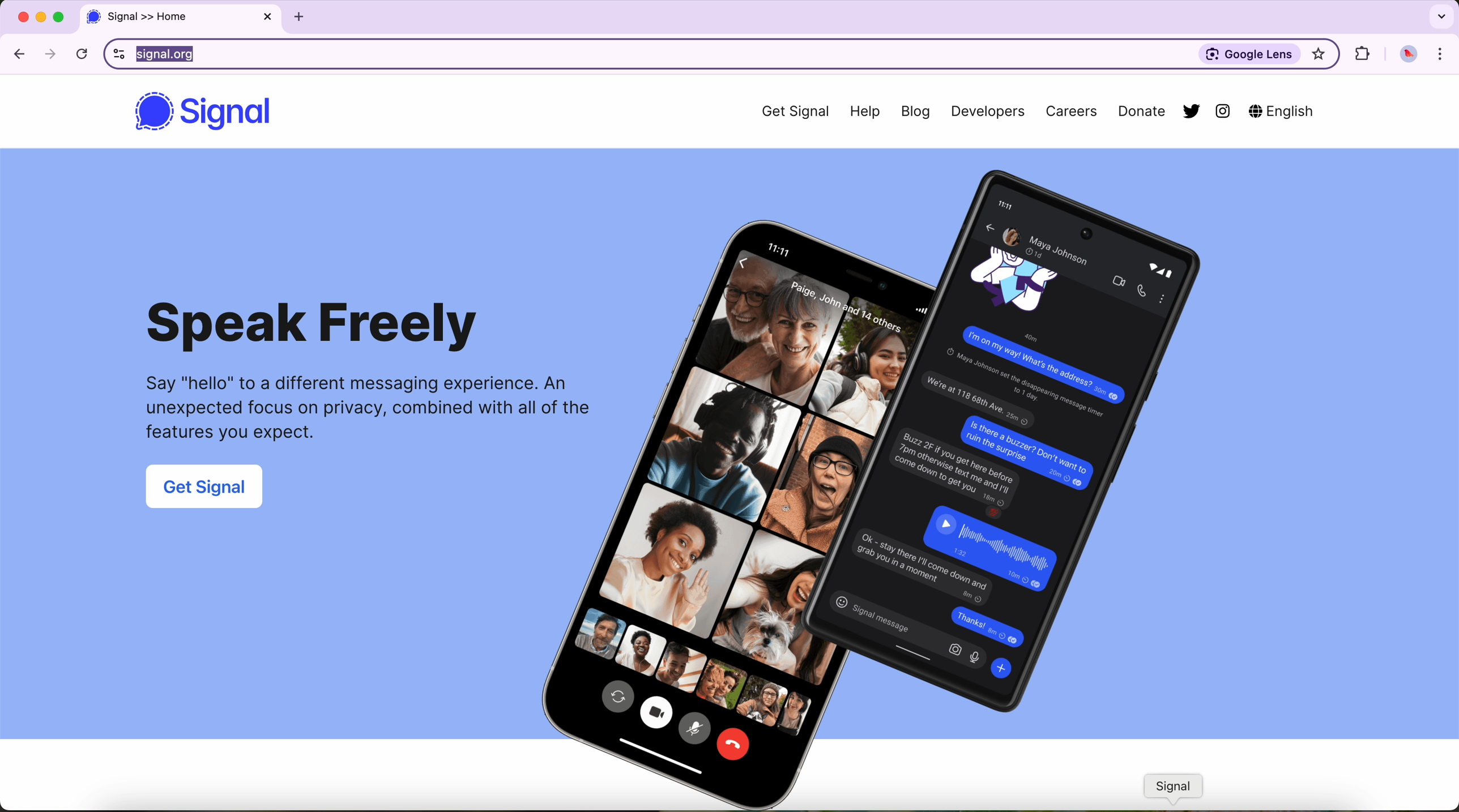 This screenshot has width=1459, height=812. Describe the element at coordinates (233, 115) in the screenshot. I see `Signal` at that location.